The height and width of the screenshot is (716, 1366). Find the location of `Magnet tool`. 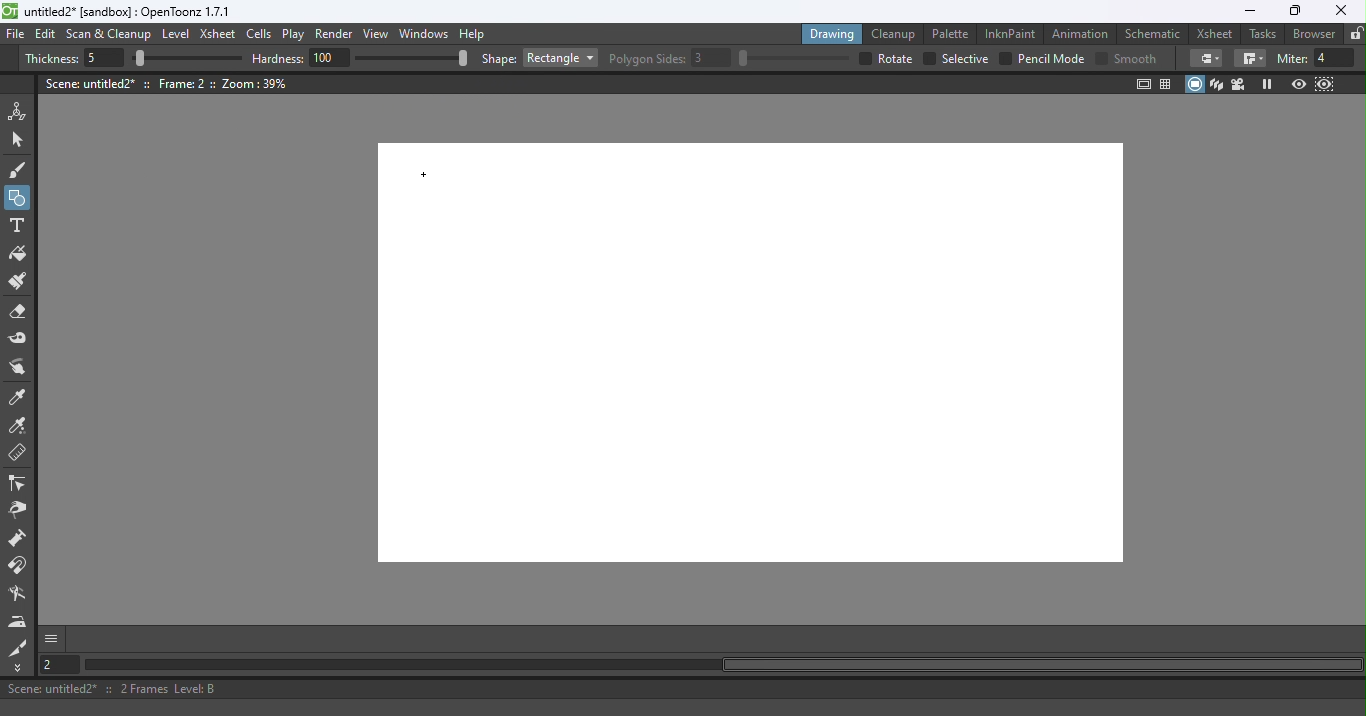

Magnet tool is located at coordinates (19, 566).